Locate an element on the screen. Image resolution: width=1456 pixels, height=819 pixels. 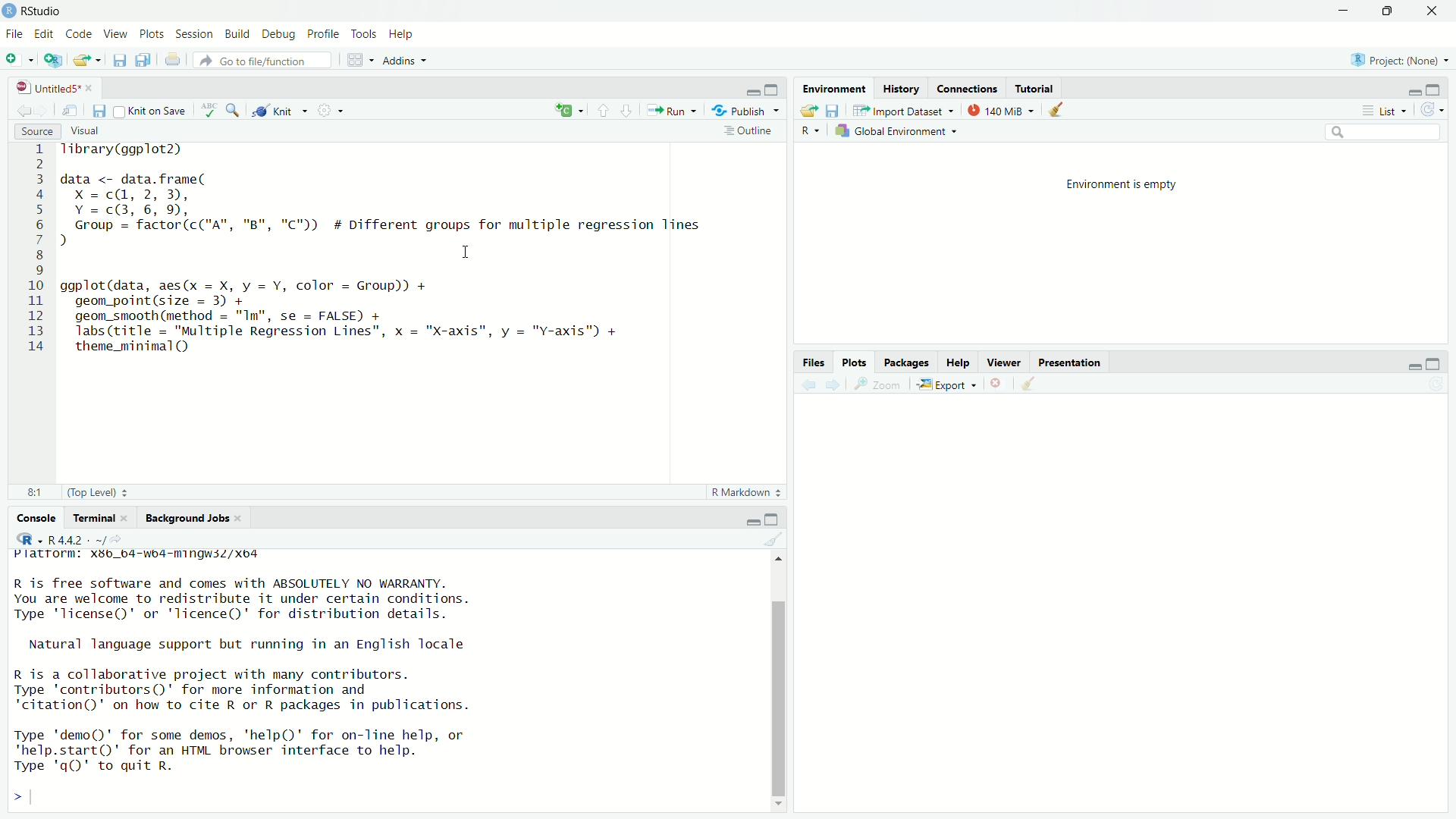
Knit on Save is located at coordinates (152, 111).